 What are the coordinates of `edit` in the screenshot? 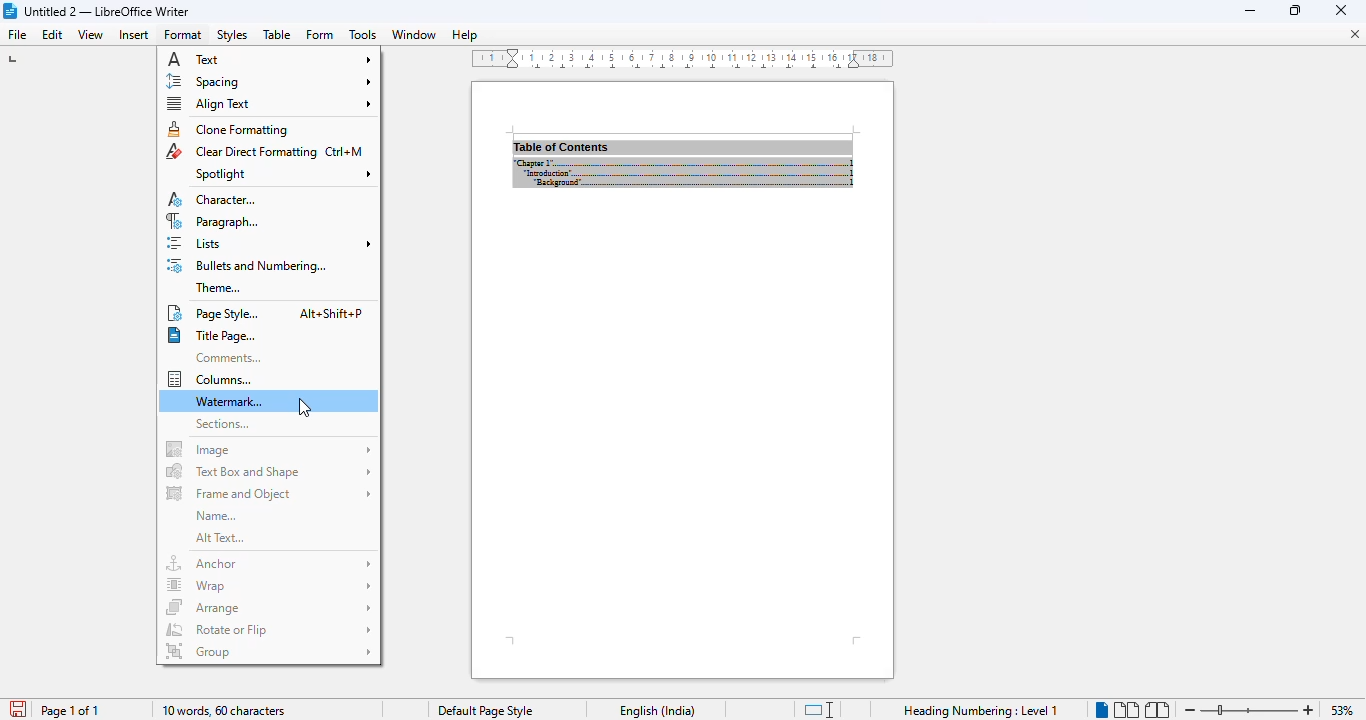 It's located at (53, 35).